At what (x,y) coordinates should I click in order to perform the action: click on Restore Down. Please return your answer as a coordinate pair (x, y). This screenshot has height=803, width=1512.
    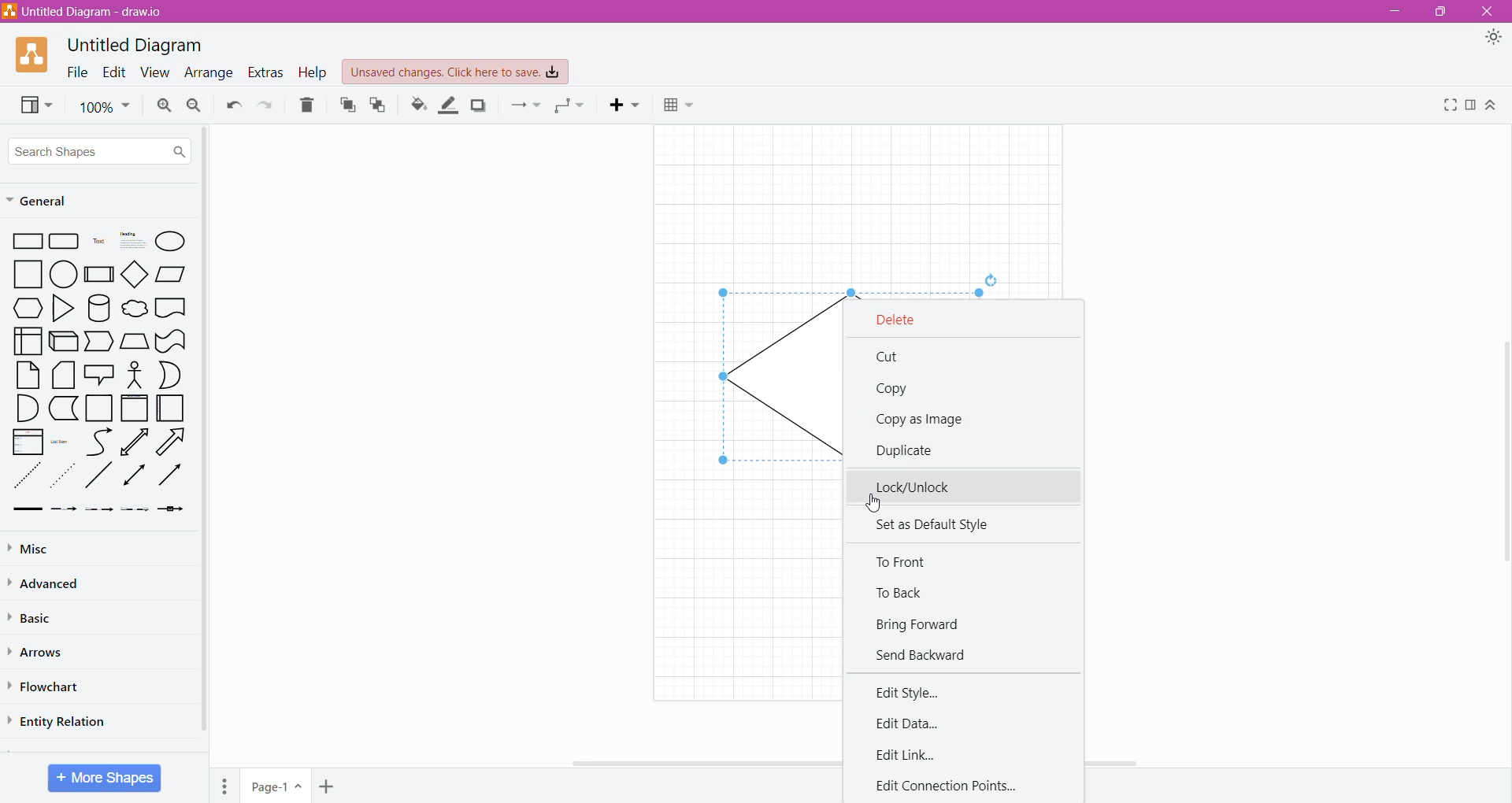
    Looking at the image, I should click on (1441, 11).